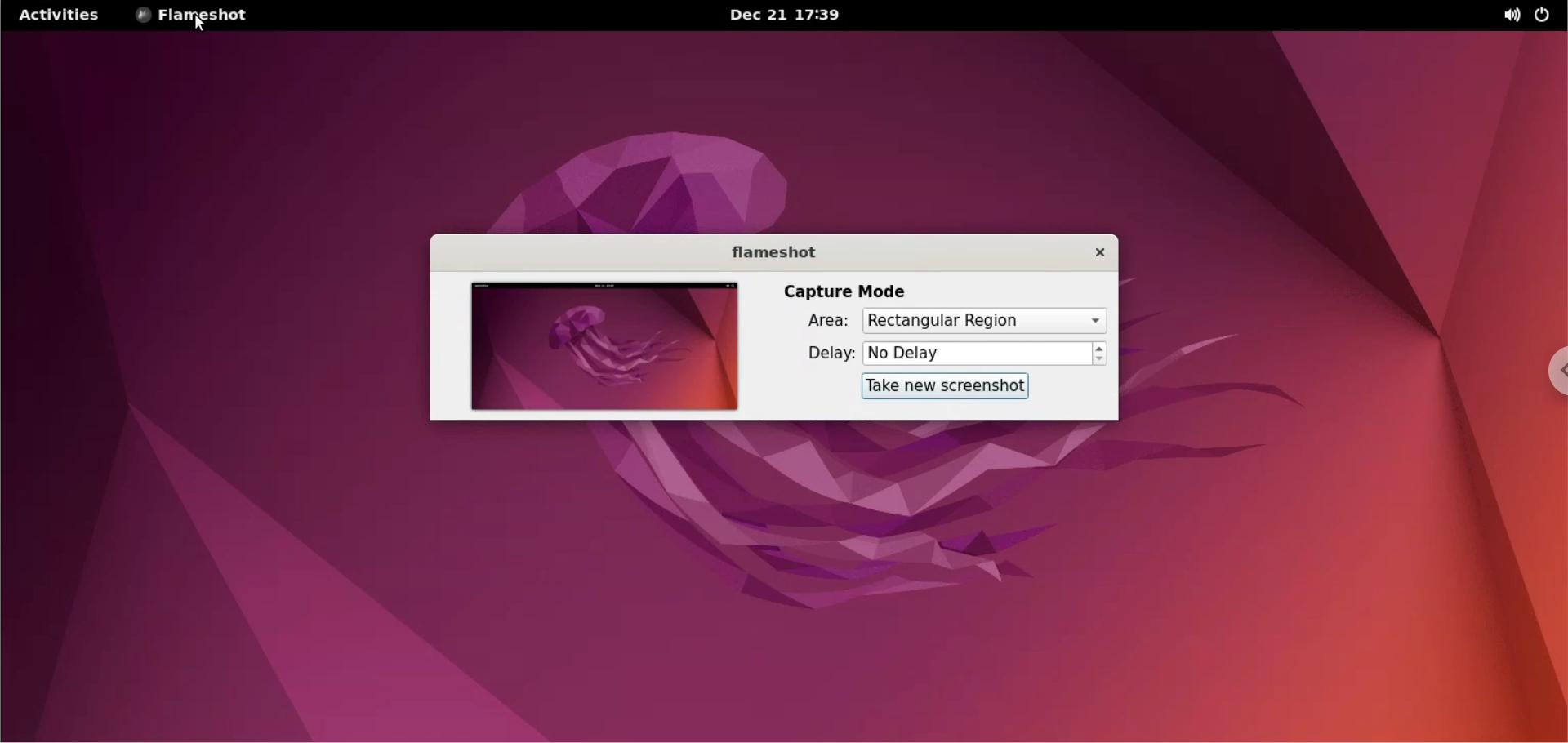  I want to click on increment and decrement delay time, so click(1100, 354).